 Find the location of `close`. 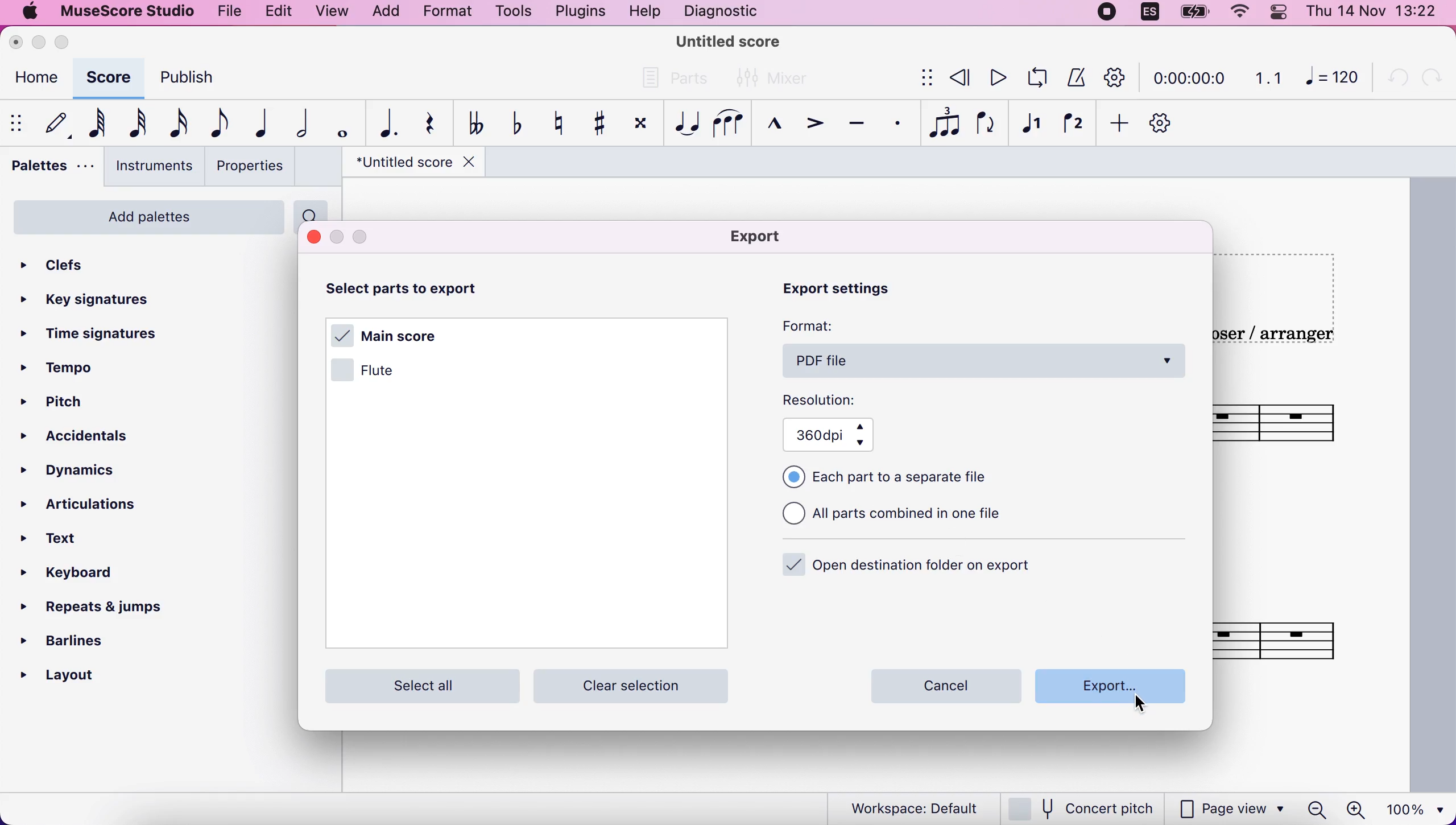

close is located at coordinates (18, 43).